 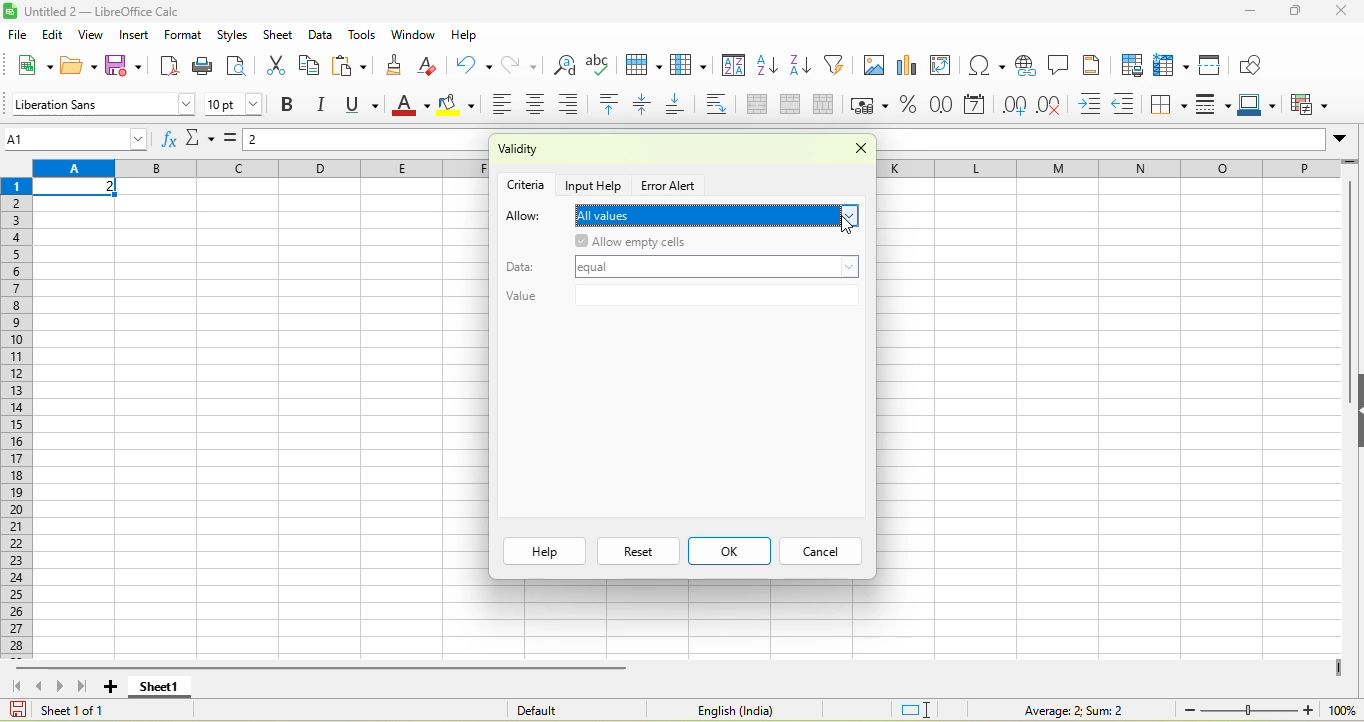 I want to click on sheet 1 0f 1, so click(x=68, y=710).